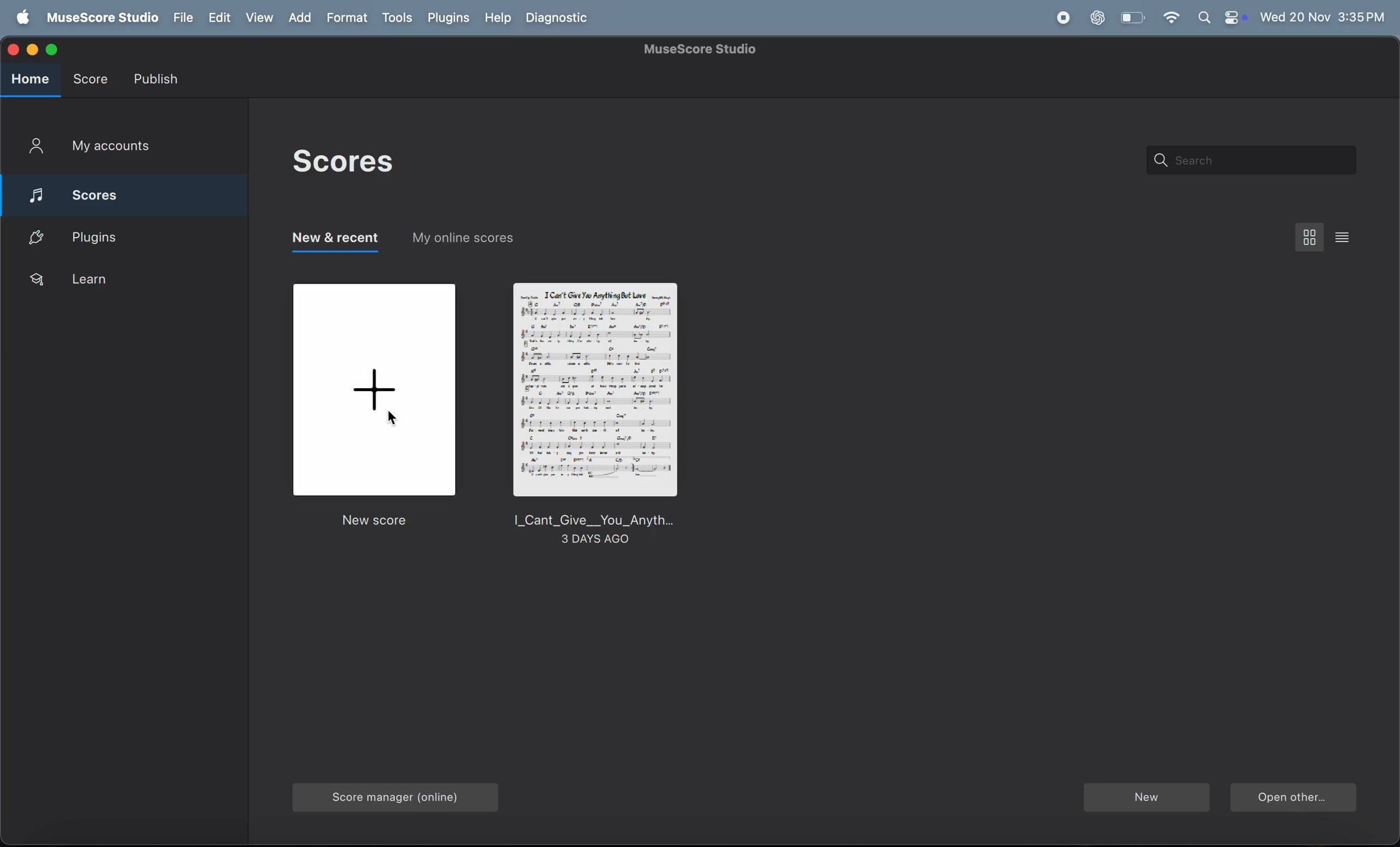 The image size is (1400, 847). What do you see at coordinates (703, 49) in the screenshot?
I see `page title` at bounding box center [703, 49].